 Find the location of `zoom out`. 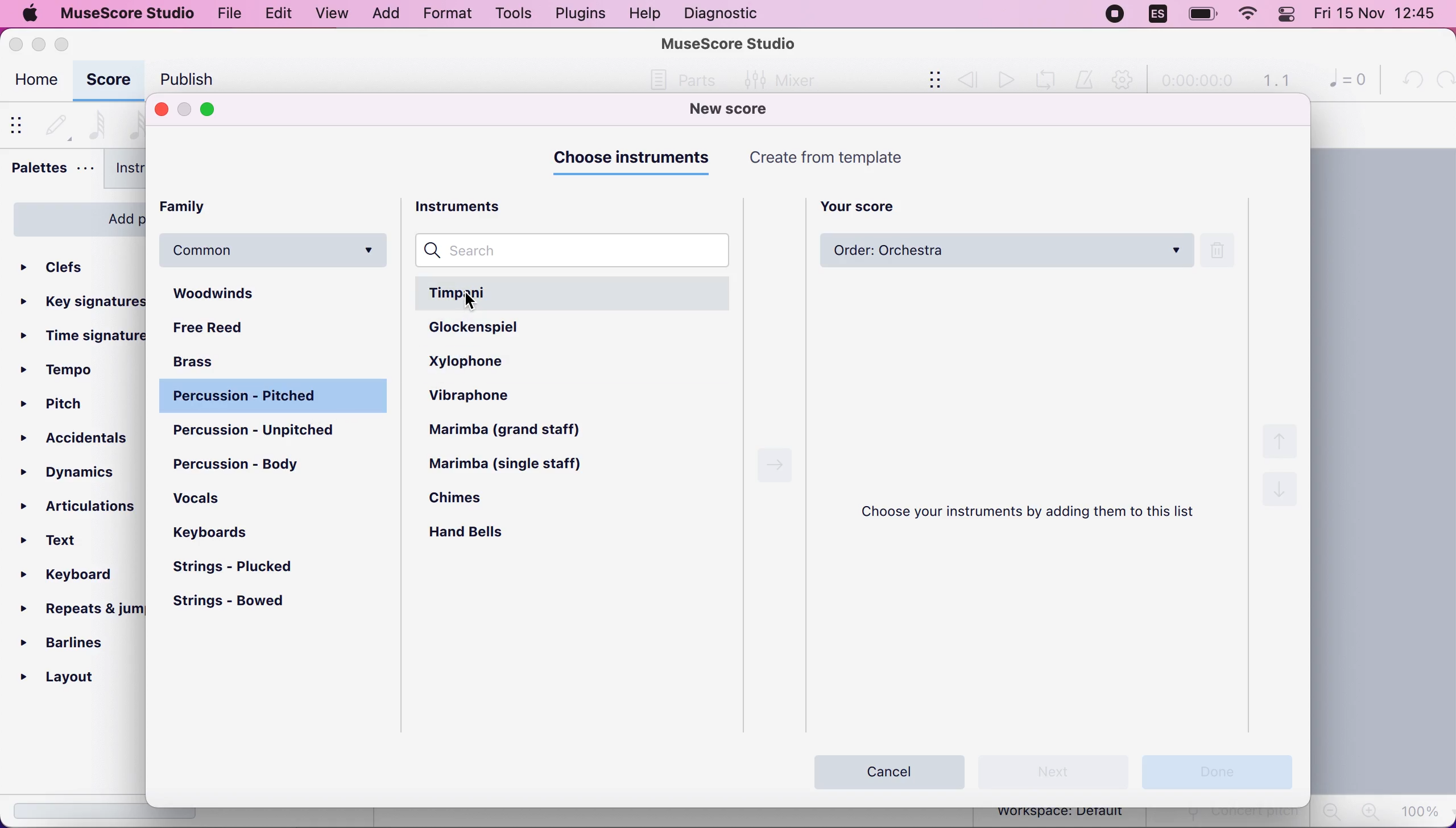

zoom out is located at coordinates (1330, 812).